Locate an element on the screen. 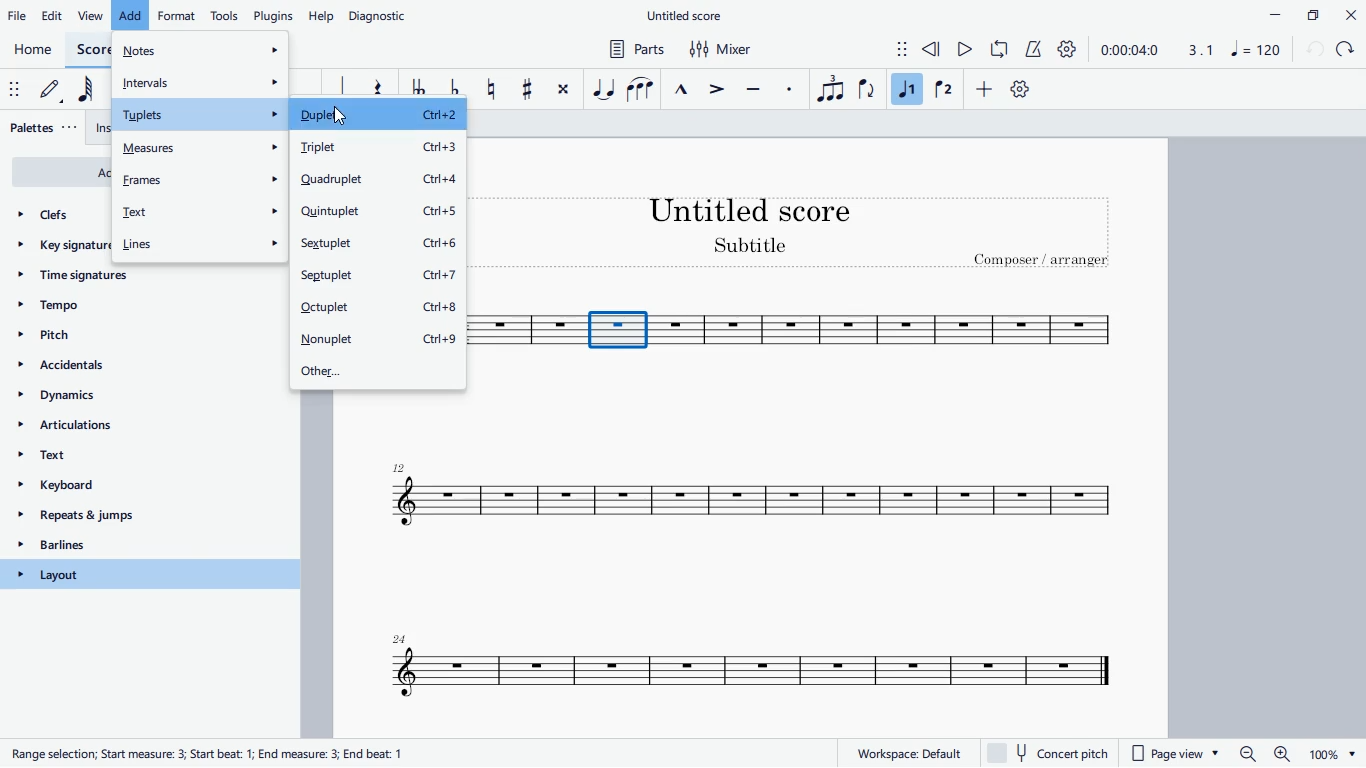 Image resolution: width=1366 pixels, height=768 pixels. score is located at coordinates (91, 49).